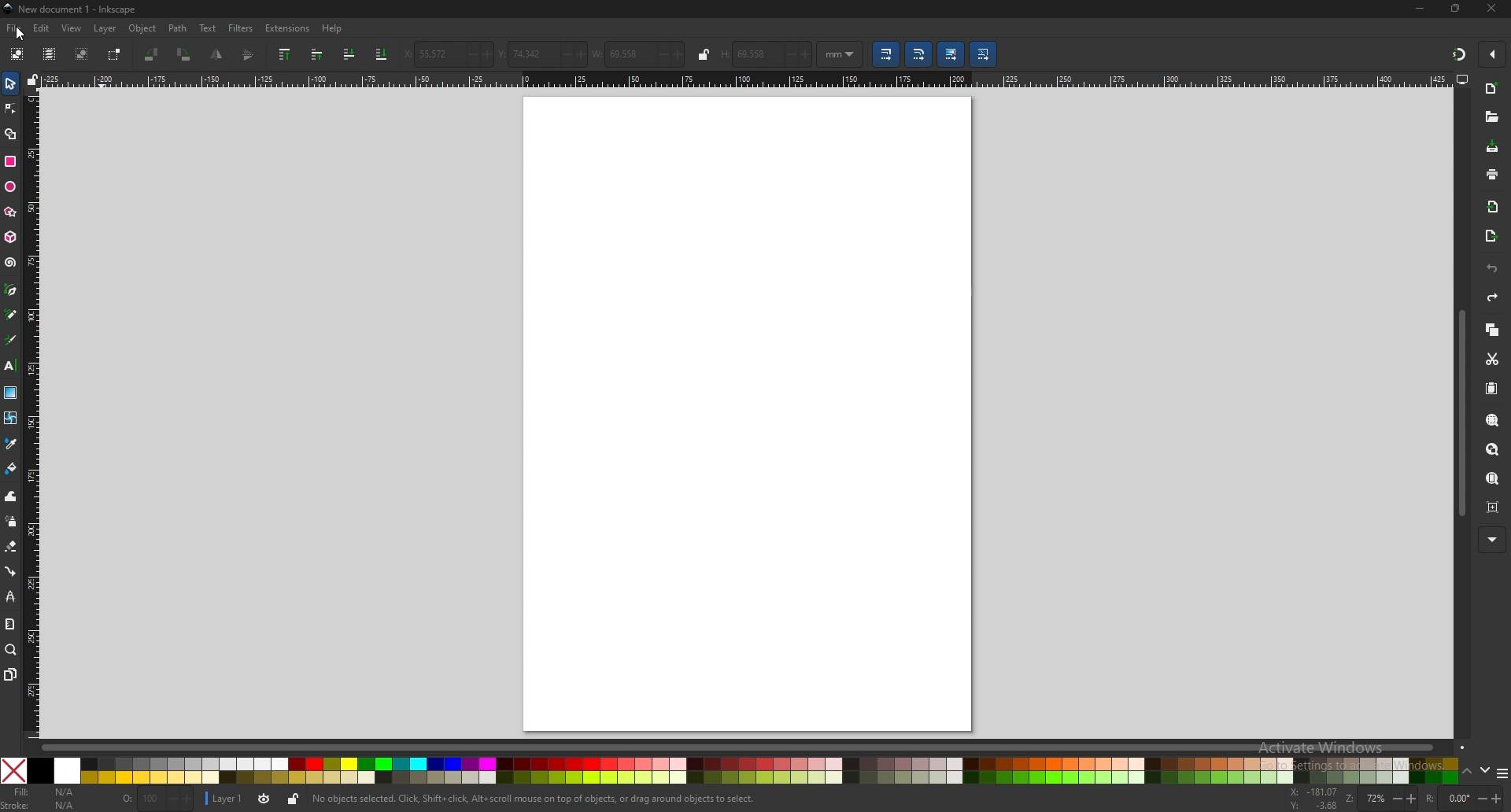 This screenshot has width=1511, height=812. I want to click on select all objects, so click(16, 53).